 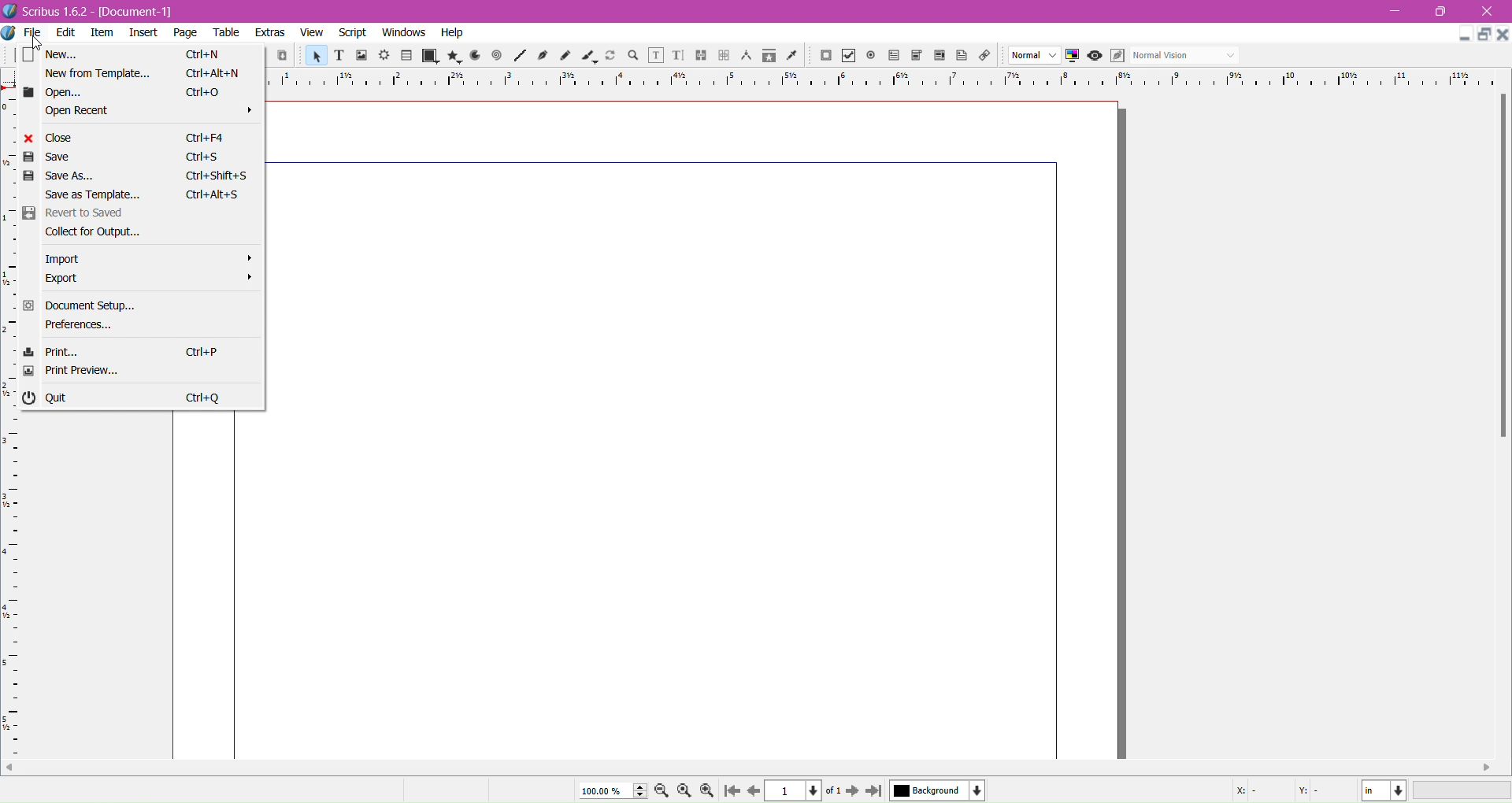 What do you see at coordinates (429, 56) in the screenshot?
I see `Shape` at bounding box center [429, 56].